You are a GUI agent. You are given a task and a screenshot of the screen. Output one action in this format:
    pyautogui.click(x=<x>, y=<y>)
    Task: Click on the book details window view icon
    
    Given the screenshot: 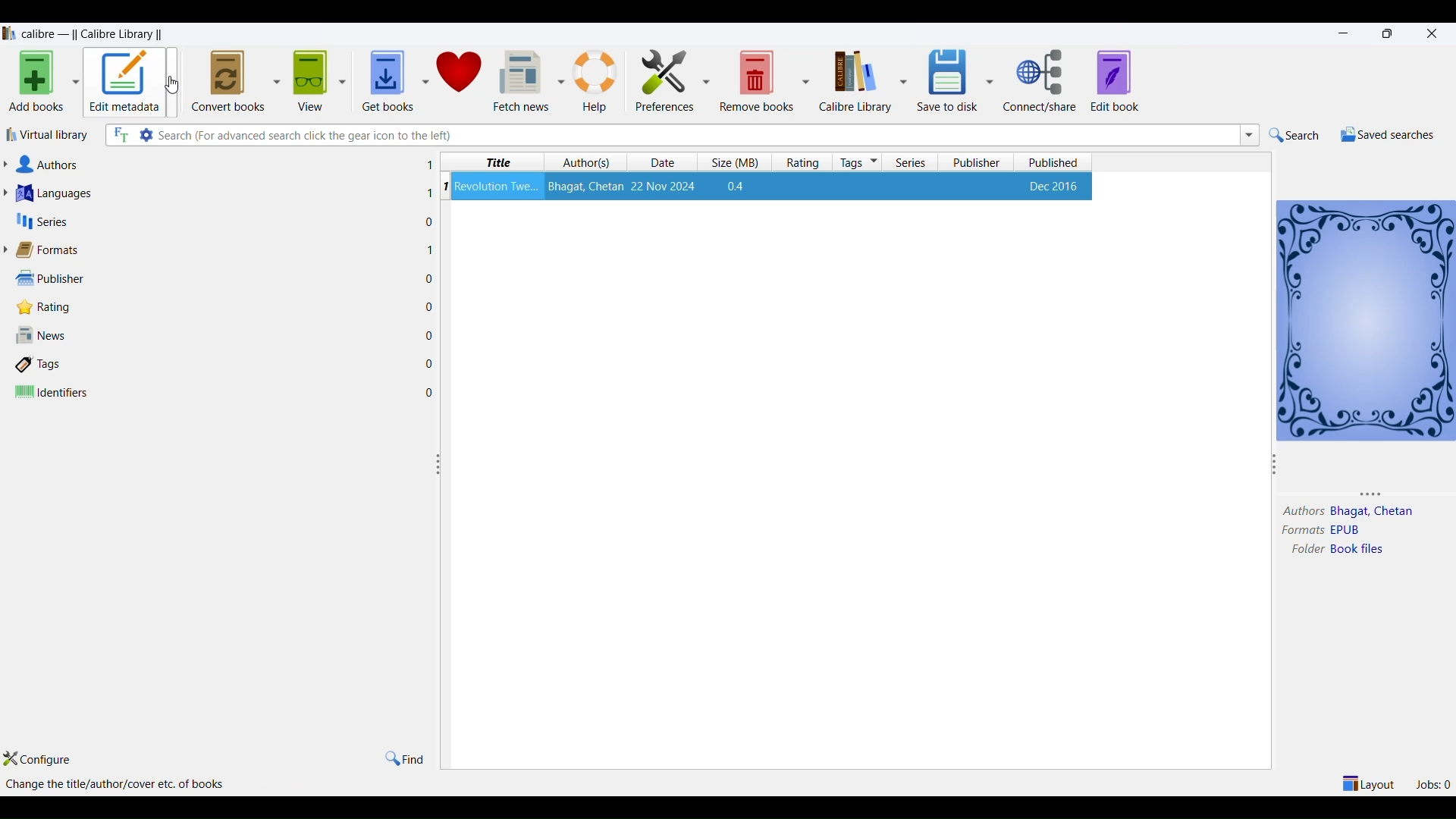 What is the action you would take?
    pyautogui.click(x=1366, y=318)
    